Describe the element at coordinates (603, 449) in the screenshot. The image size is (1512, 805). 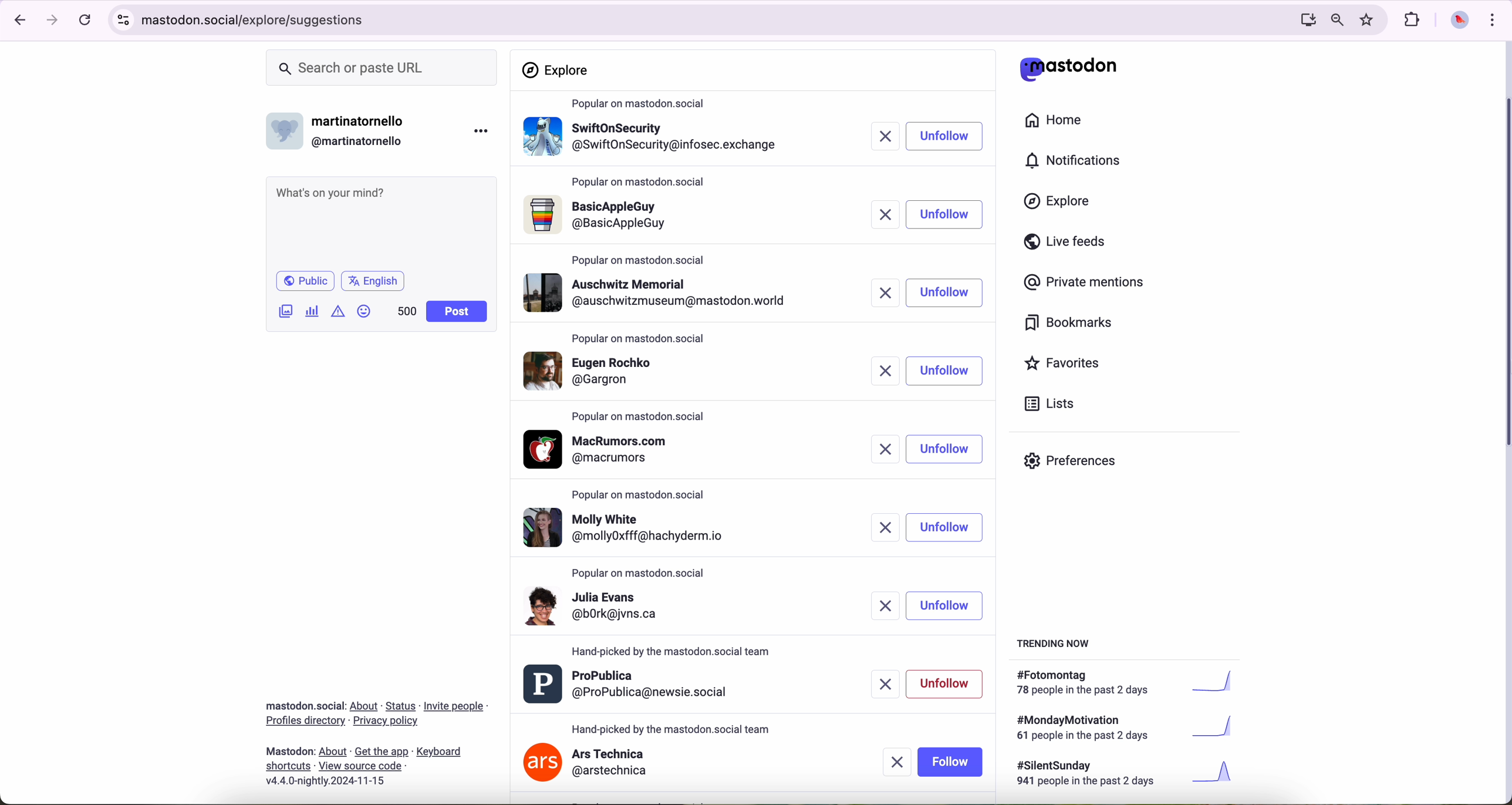
I see `profile` at that location.